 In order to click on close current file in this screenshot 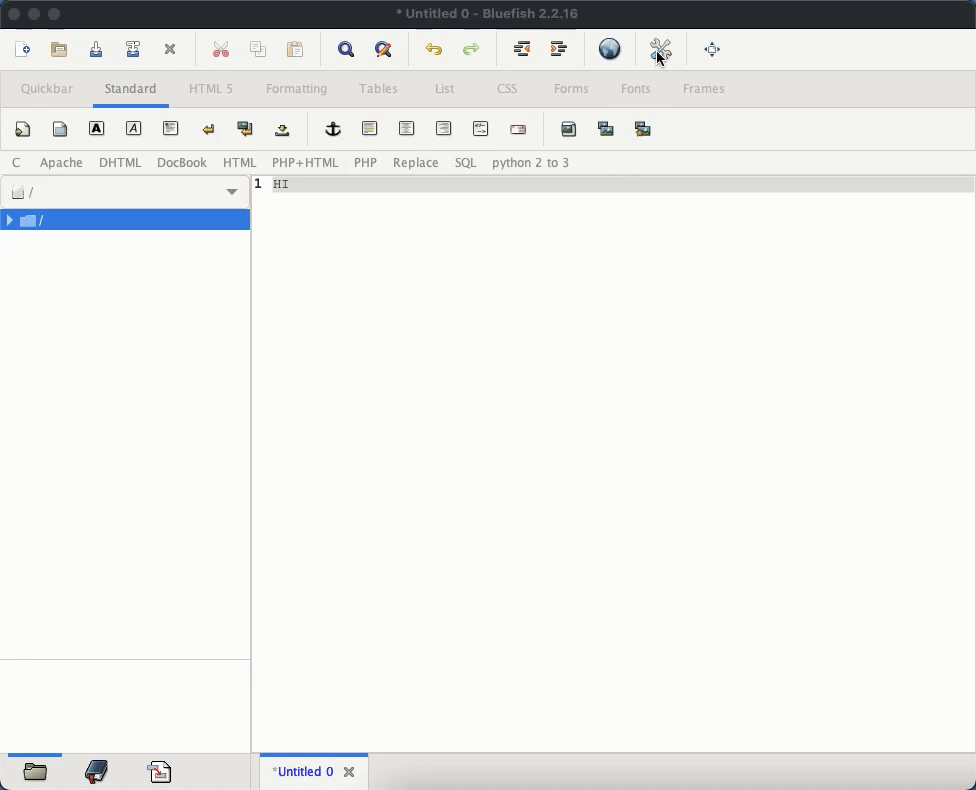, I will do `click(170, 50)`.